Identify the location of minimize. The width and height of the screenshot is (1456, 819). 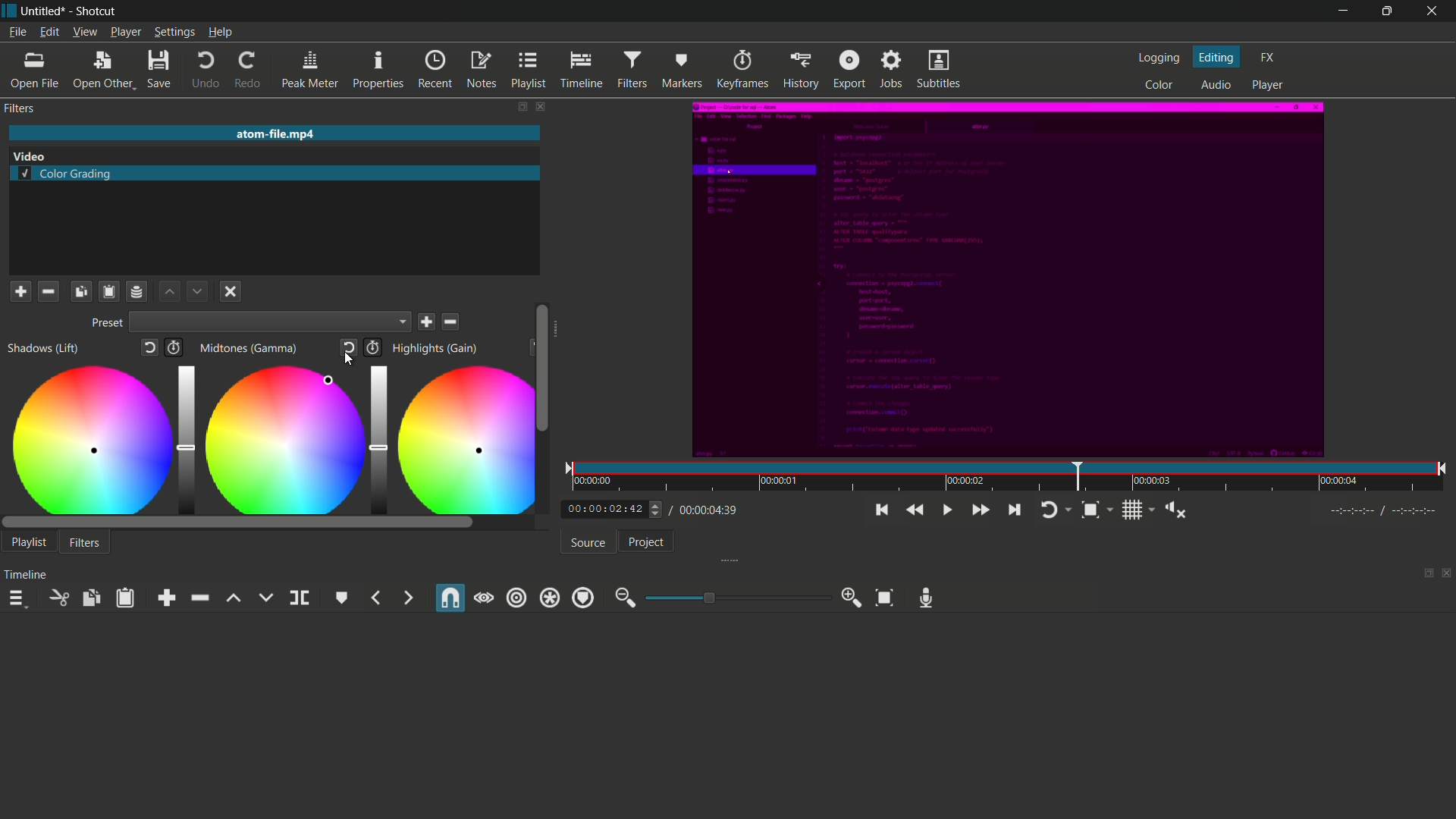
(1338, 12).